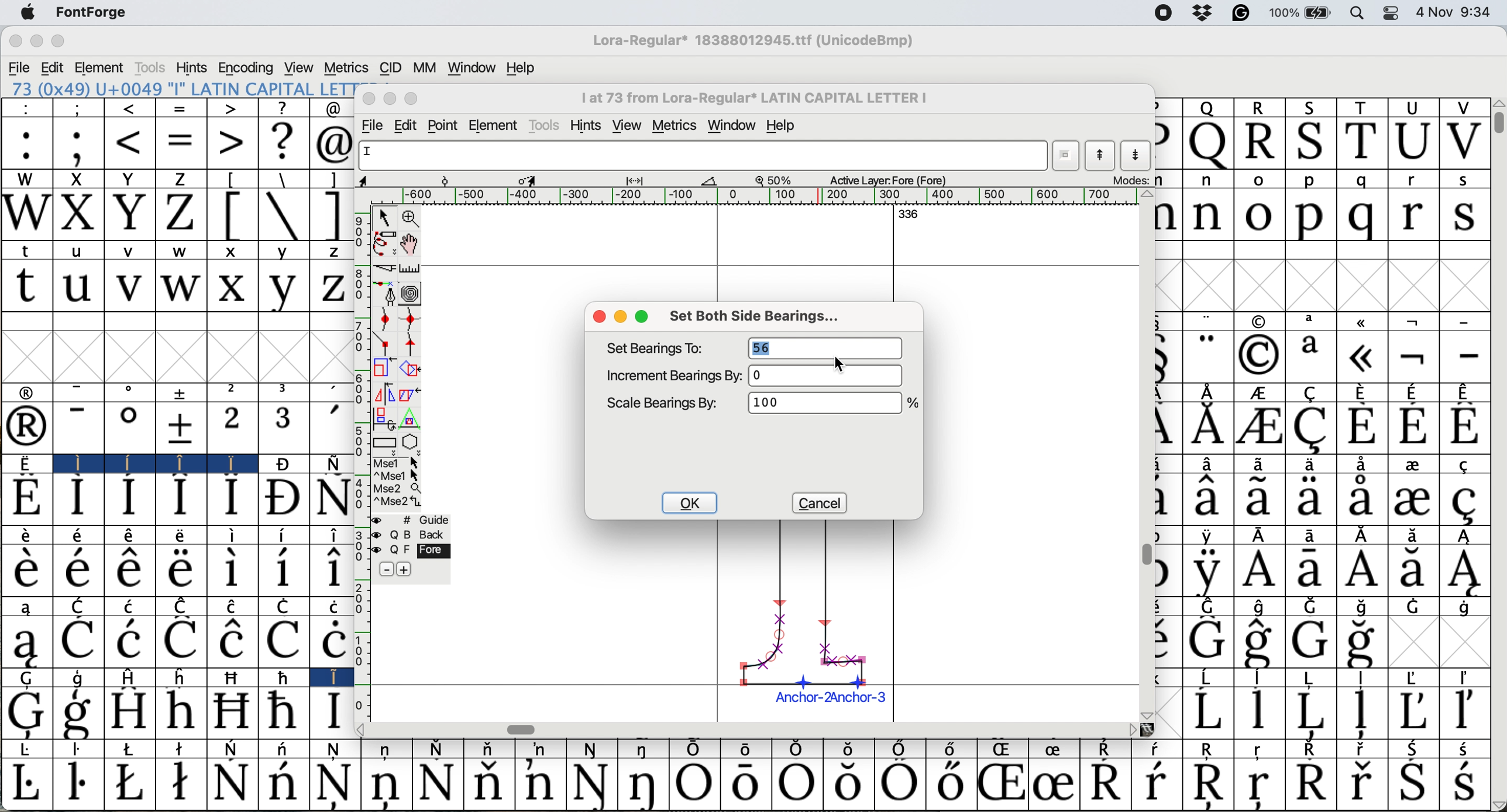 The image size is (1507, 812). What do you see at coordinates (129, 570) in the screenshot?
I see `Symbol` at bounding box center [129, 570].